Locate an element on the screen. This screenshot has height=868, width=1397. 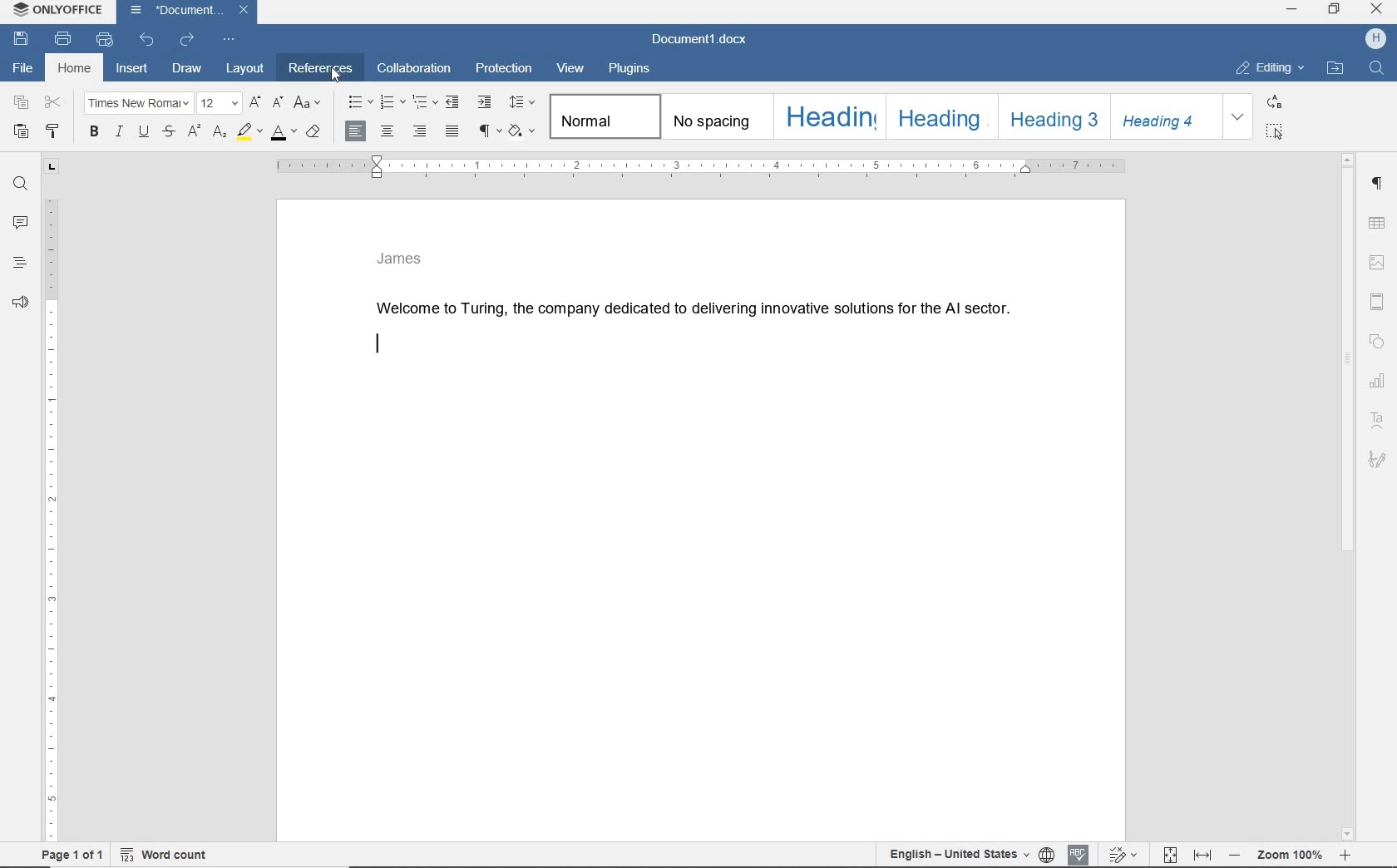
No Spacing is located at coordinates (717, 118).